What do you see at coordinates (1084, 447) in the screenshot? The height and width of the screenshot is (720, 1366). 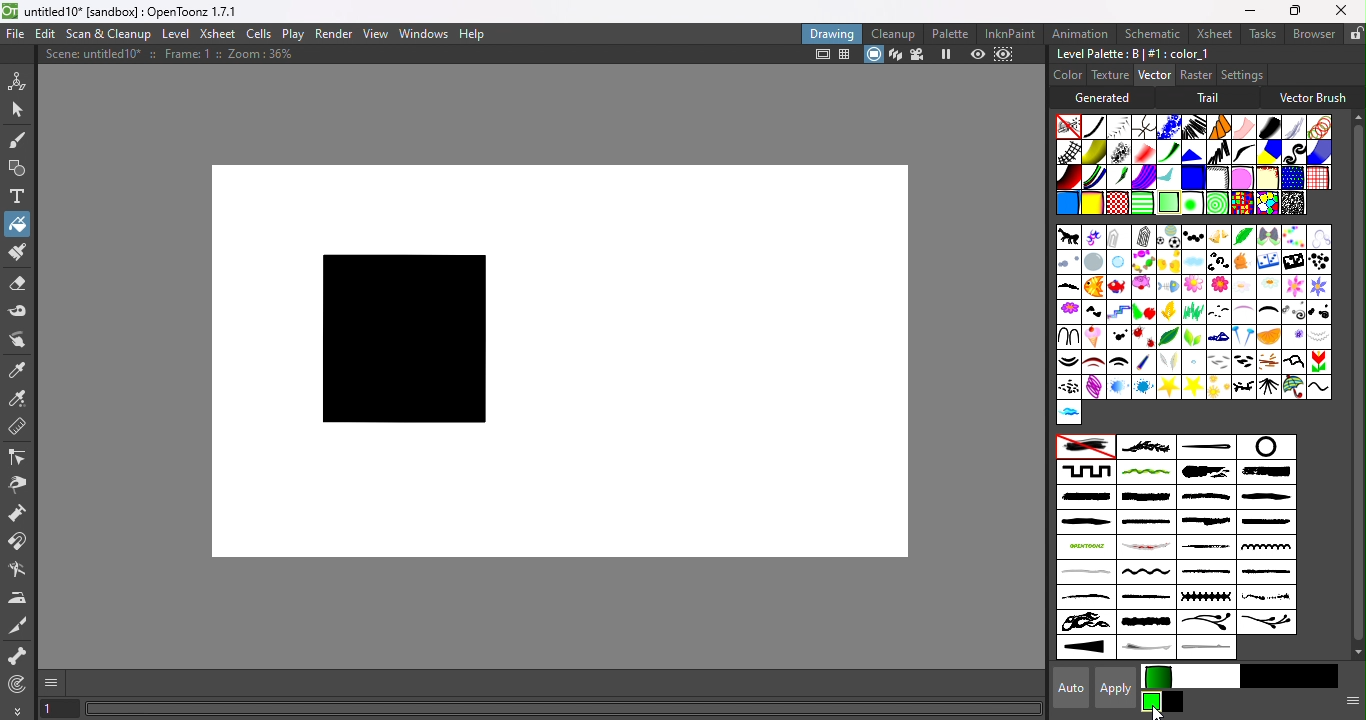 I see `Plaincolor` at bounding box center [1084, 447].